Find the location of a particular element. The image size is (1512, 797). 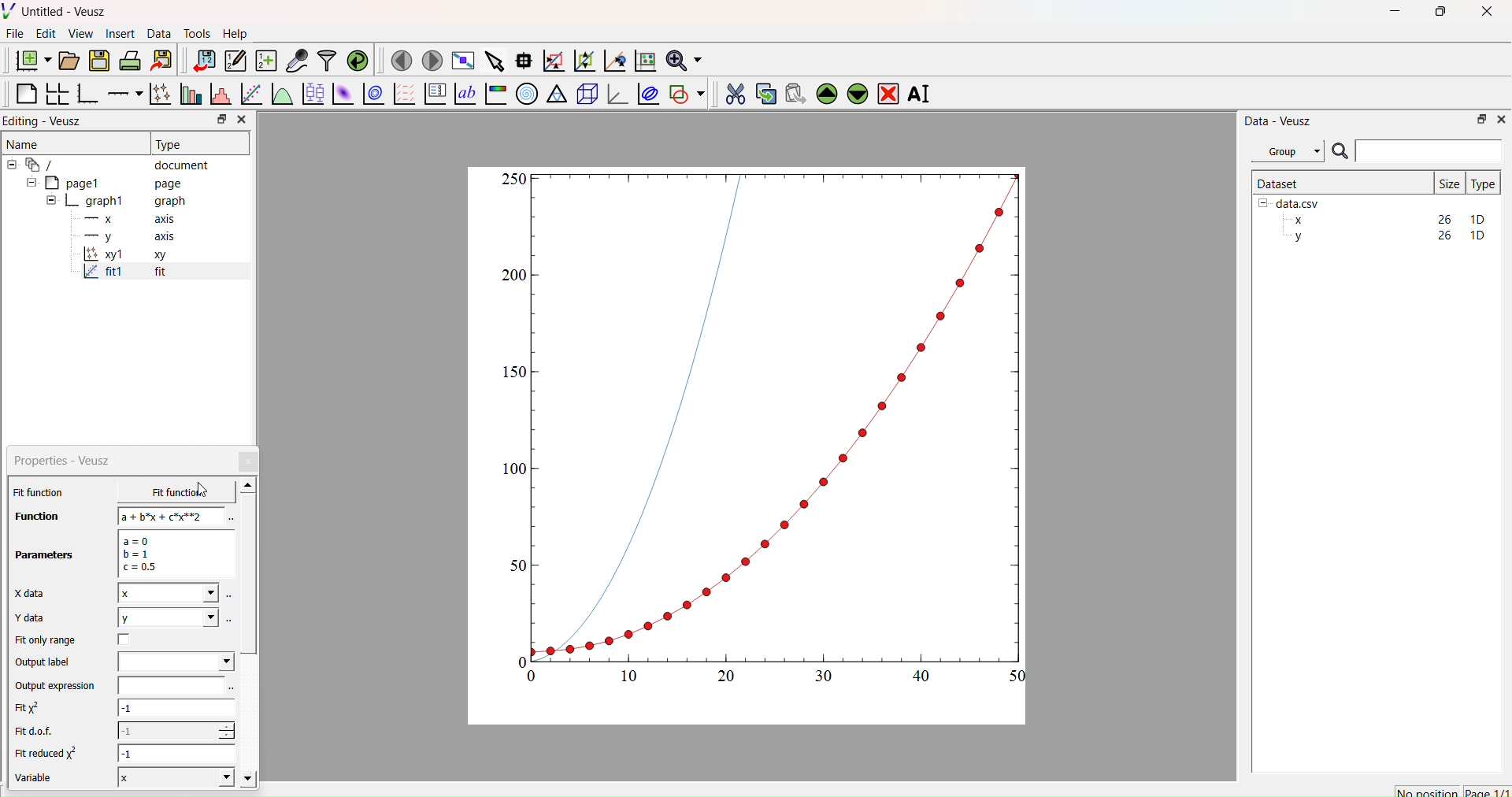

View is located at coordinates (80, 32).